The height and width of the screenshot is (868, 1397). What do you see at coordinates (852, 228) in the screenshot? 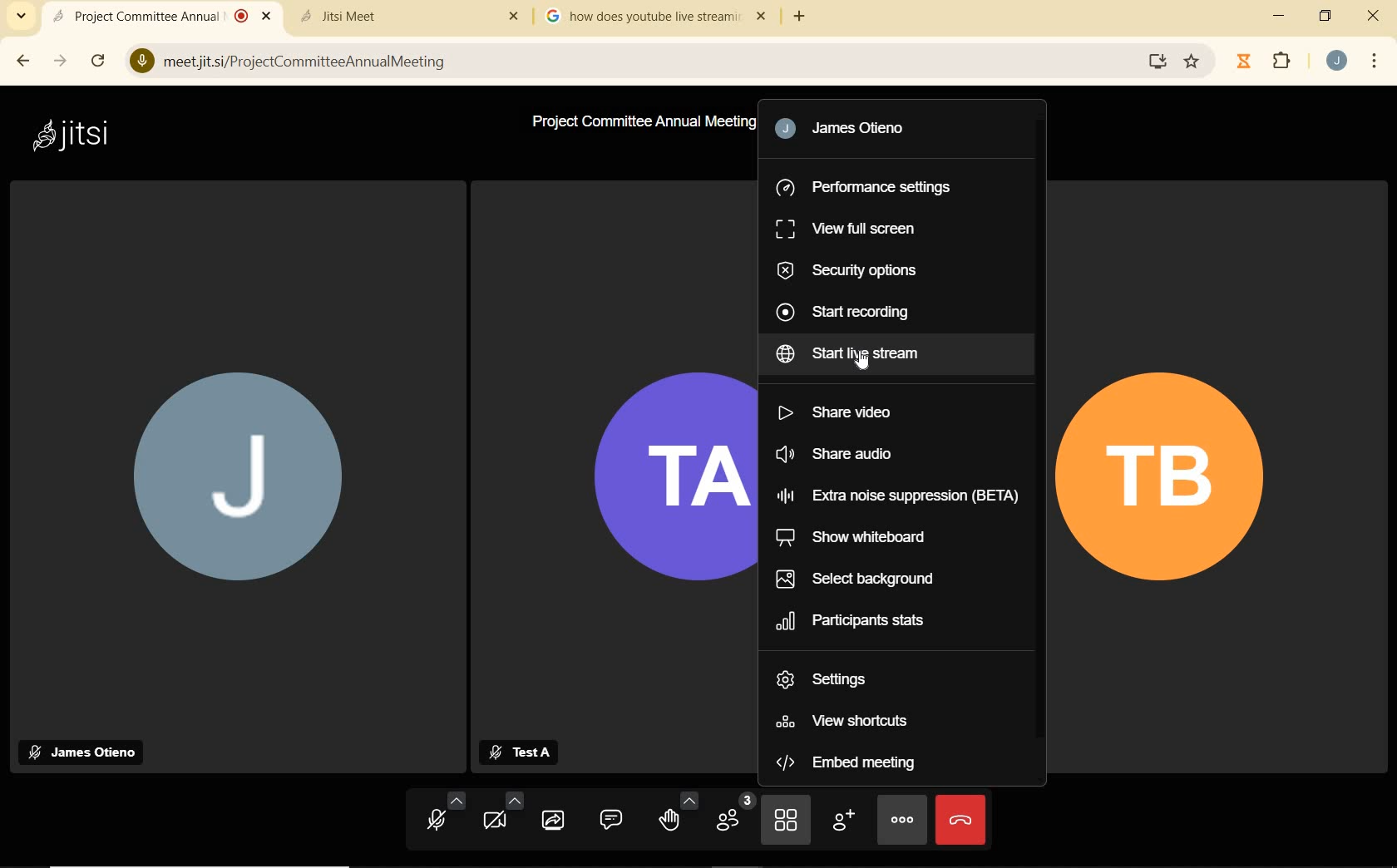
I see `view full screen` at bounding box center [852, 228].